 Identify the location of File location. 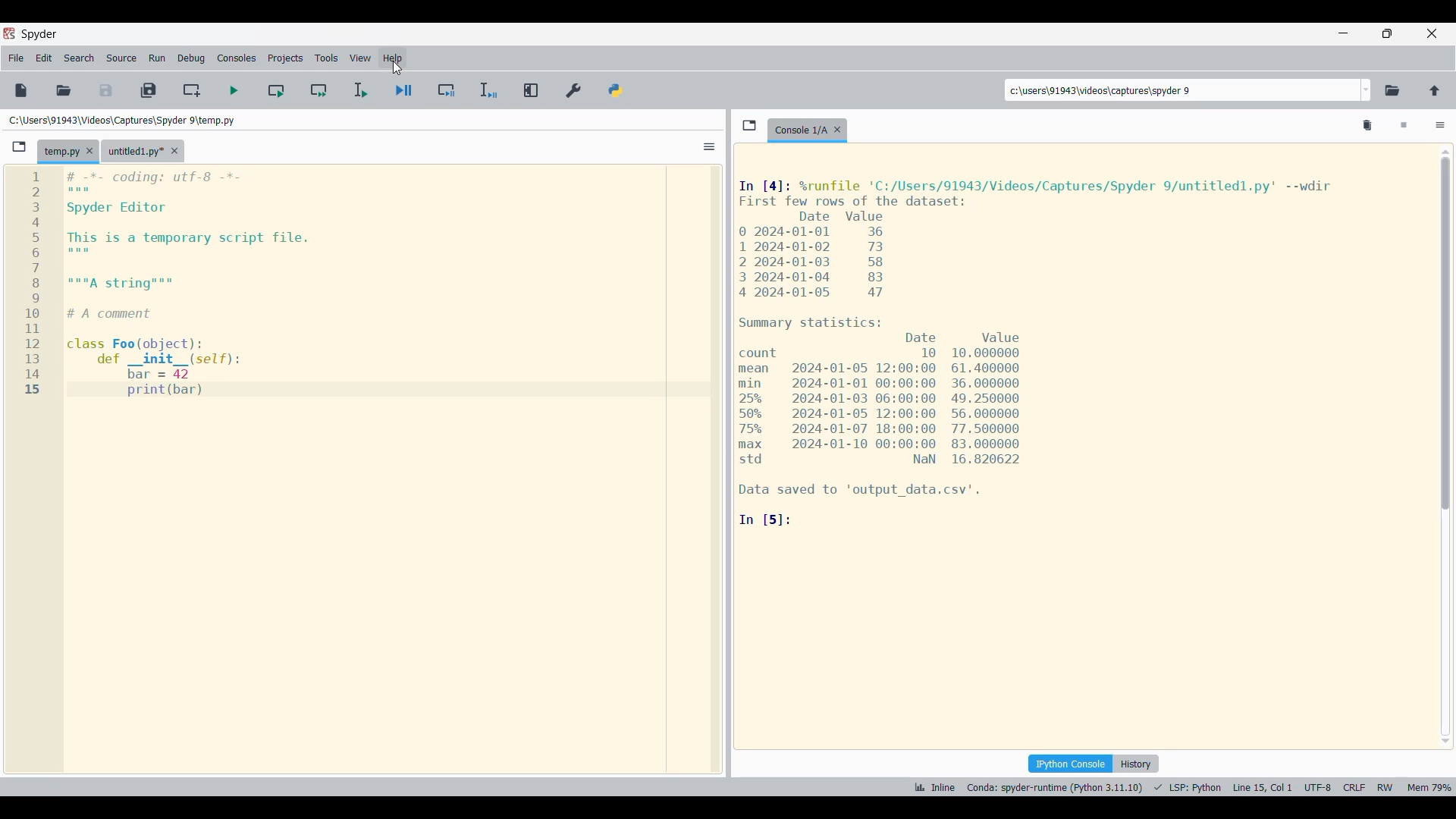
(124, 120).